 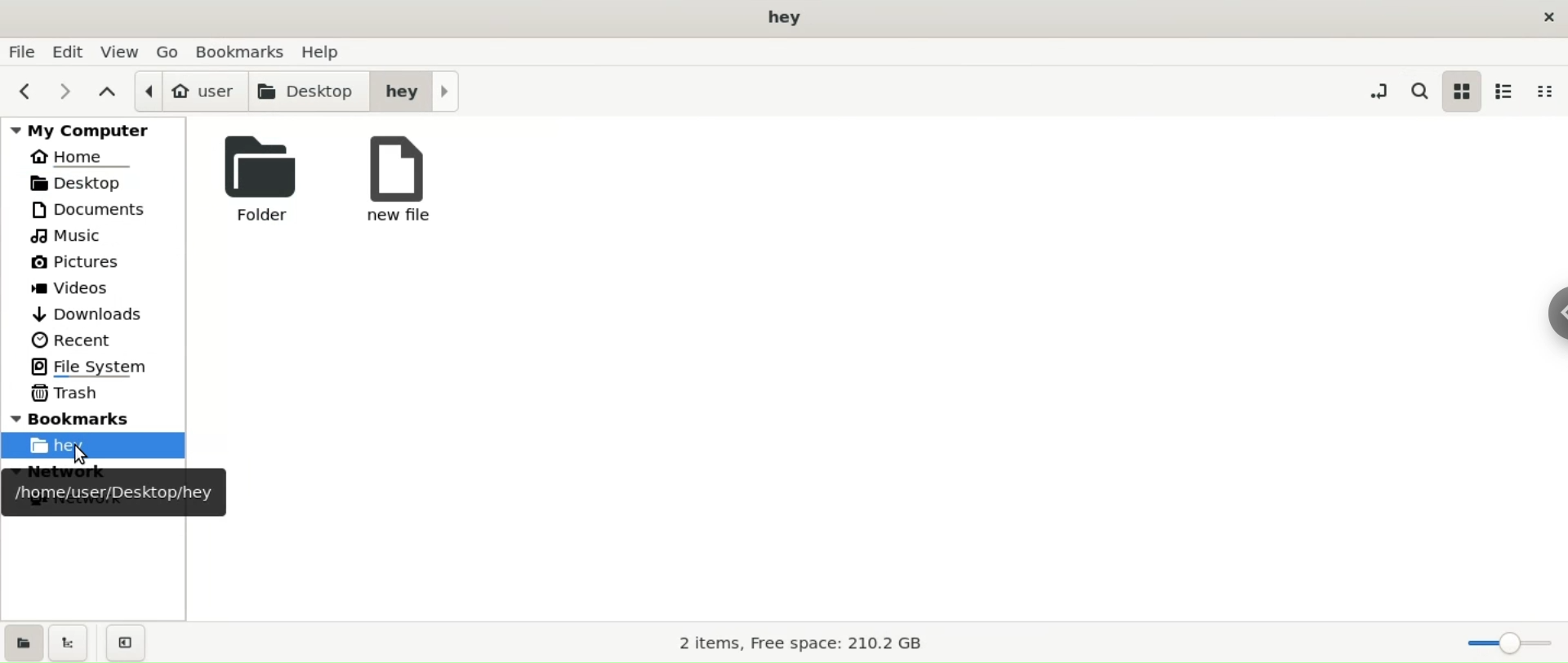 What do you see at coordinates (82, 288) in the screenshot?
I see `videos` at bounding box center [82, 288].